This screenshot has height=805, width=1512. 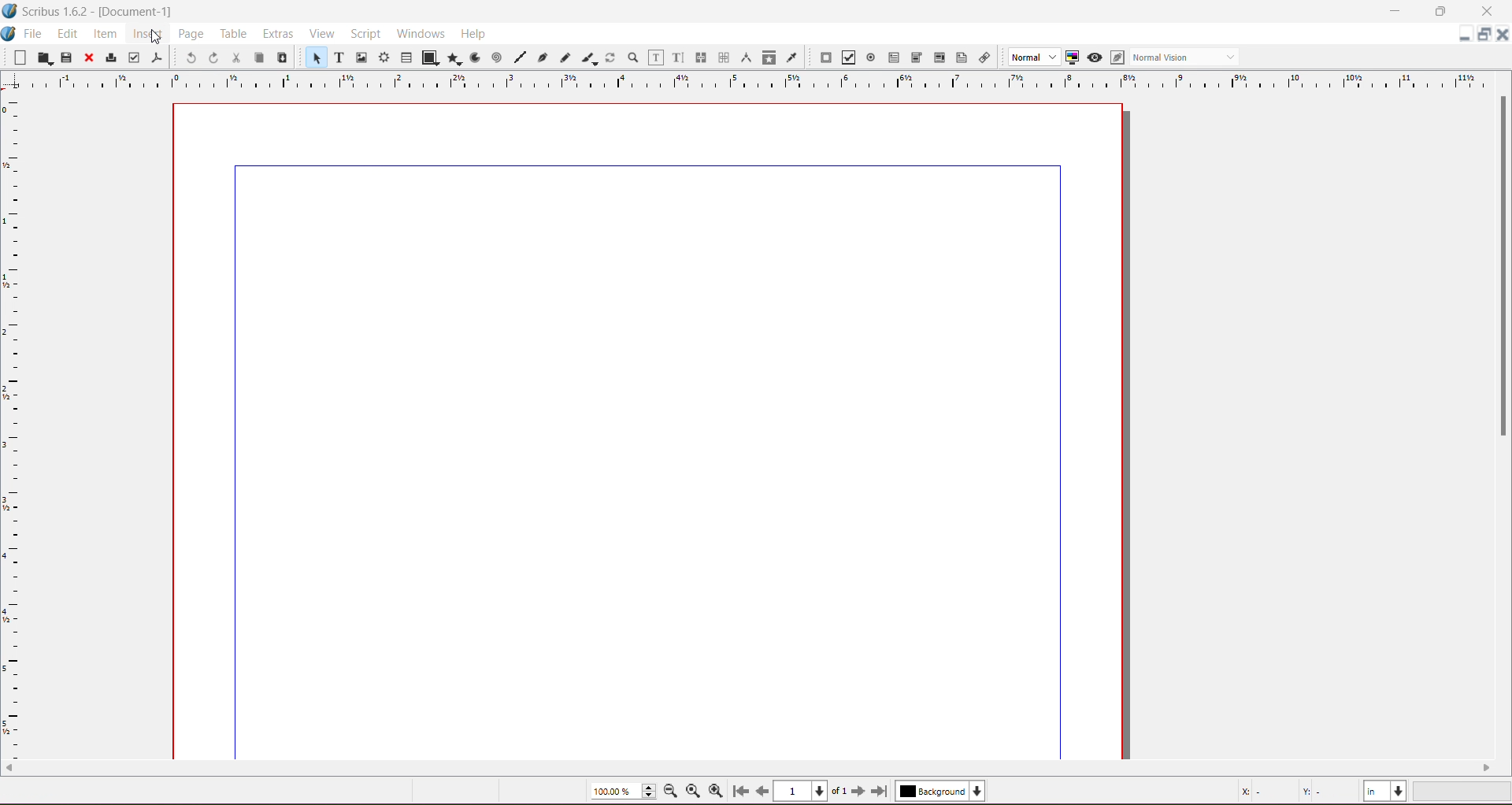 I want to click on Freehand Line, so click(x=565, y=57).